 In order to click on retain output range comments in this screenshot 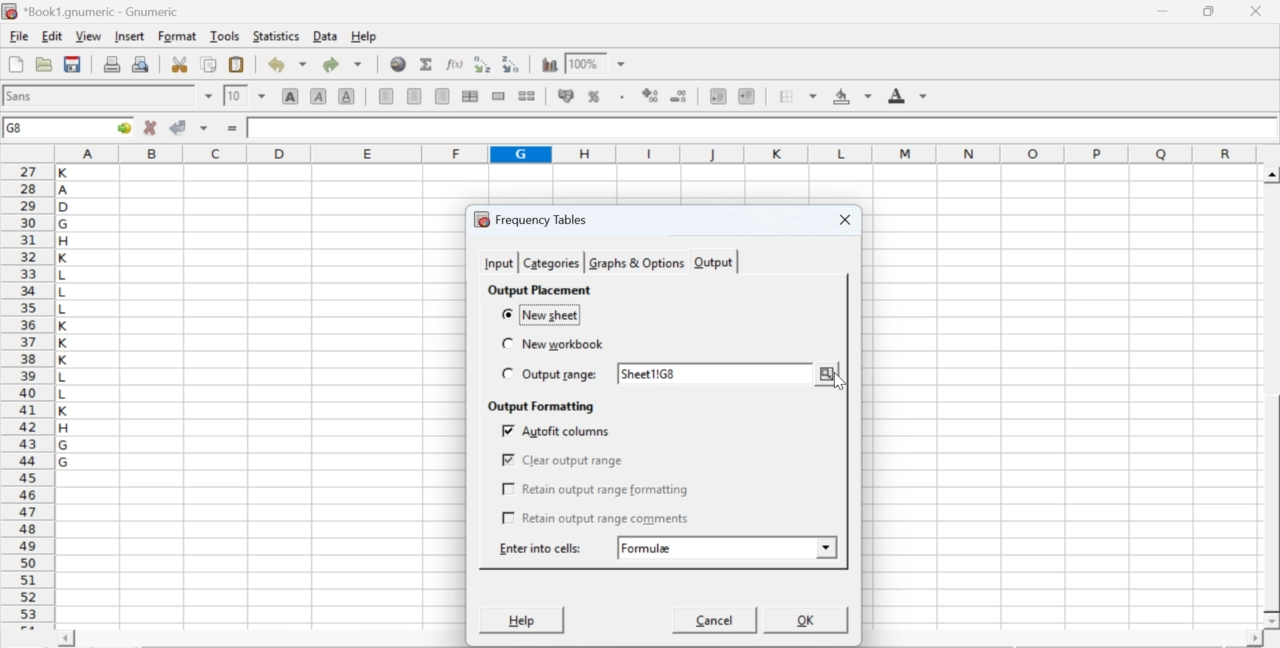, I will do `click(596, 517)`.